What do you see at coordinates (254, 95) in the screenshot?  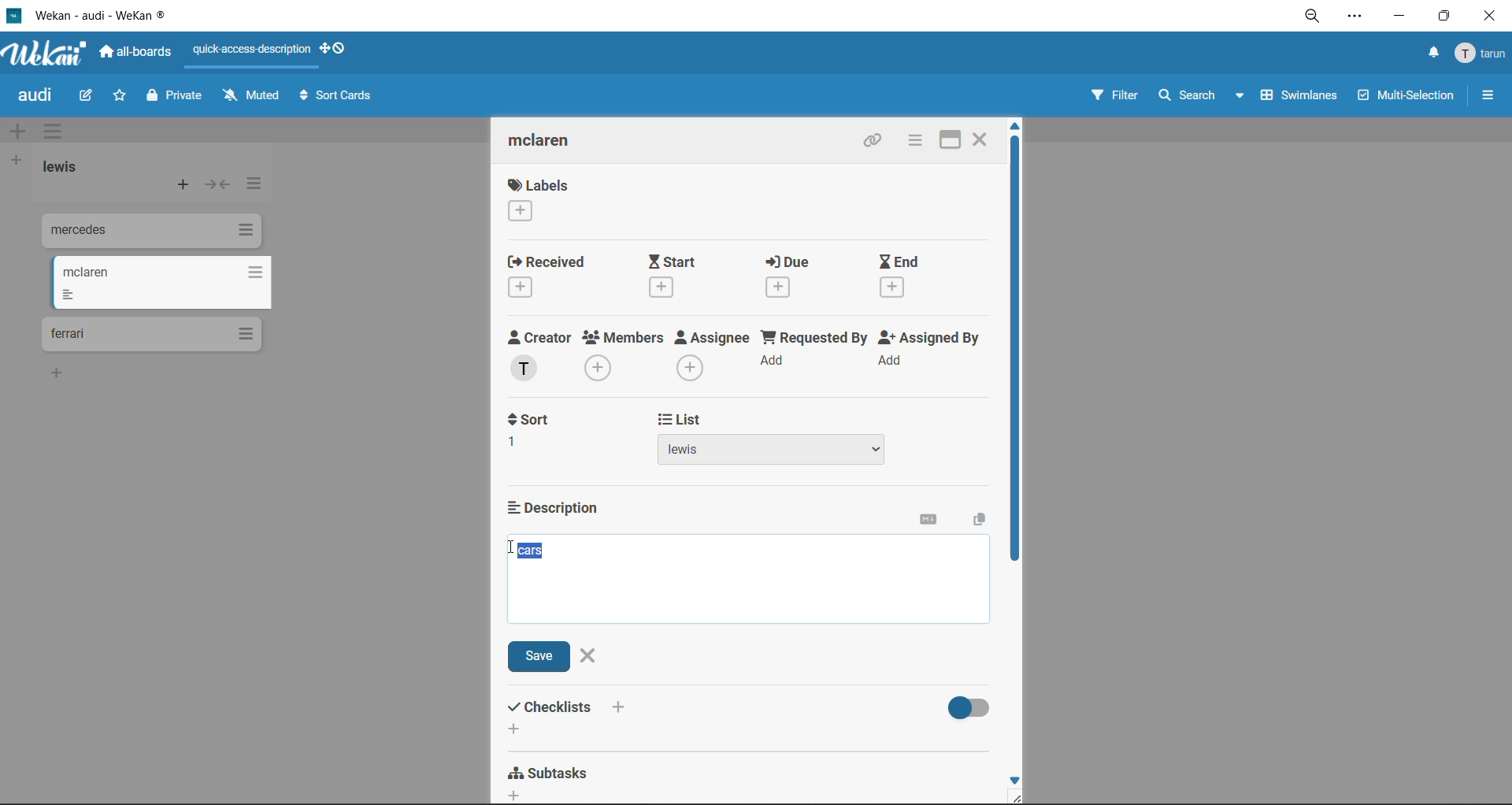 I see `muted` at bounding box center [254, 95].